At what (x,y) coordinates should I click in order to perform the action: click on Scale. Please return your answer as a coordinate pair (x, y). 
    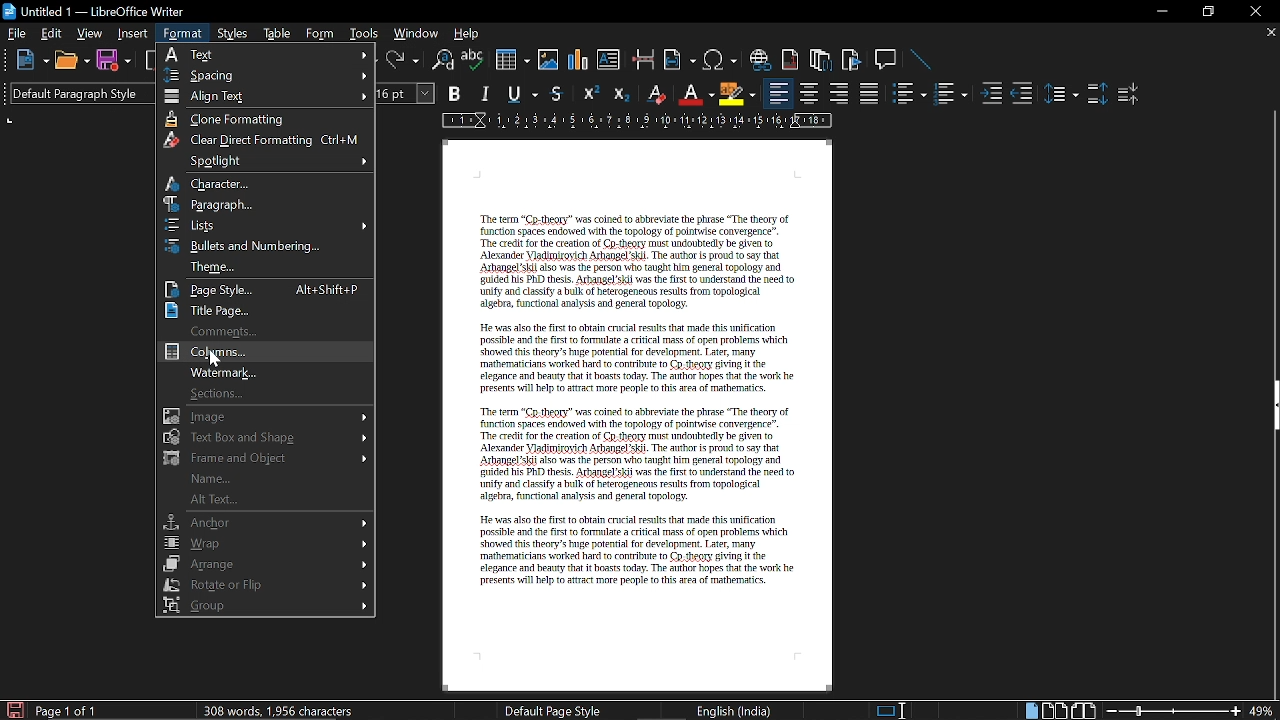
    Looking at the image, I should click on (637, 121).